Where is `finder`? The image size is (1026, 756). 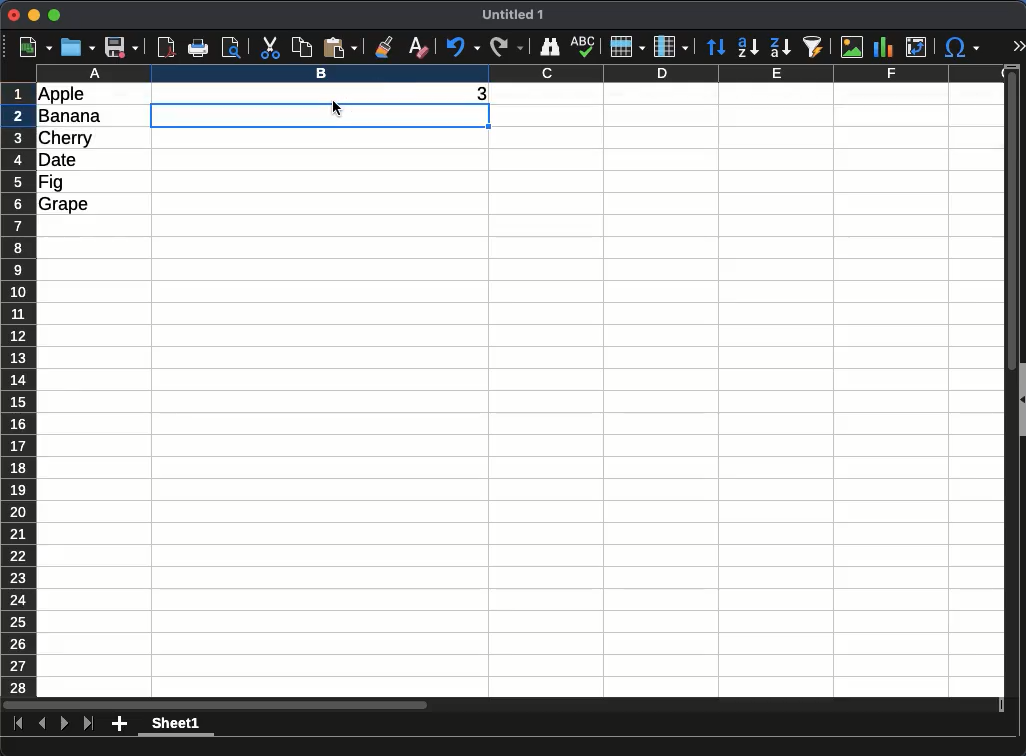
finder is located at coordinates (549, 47).